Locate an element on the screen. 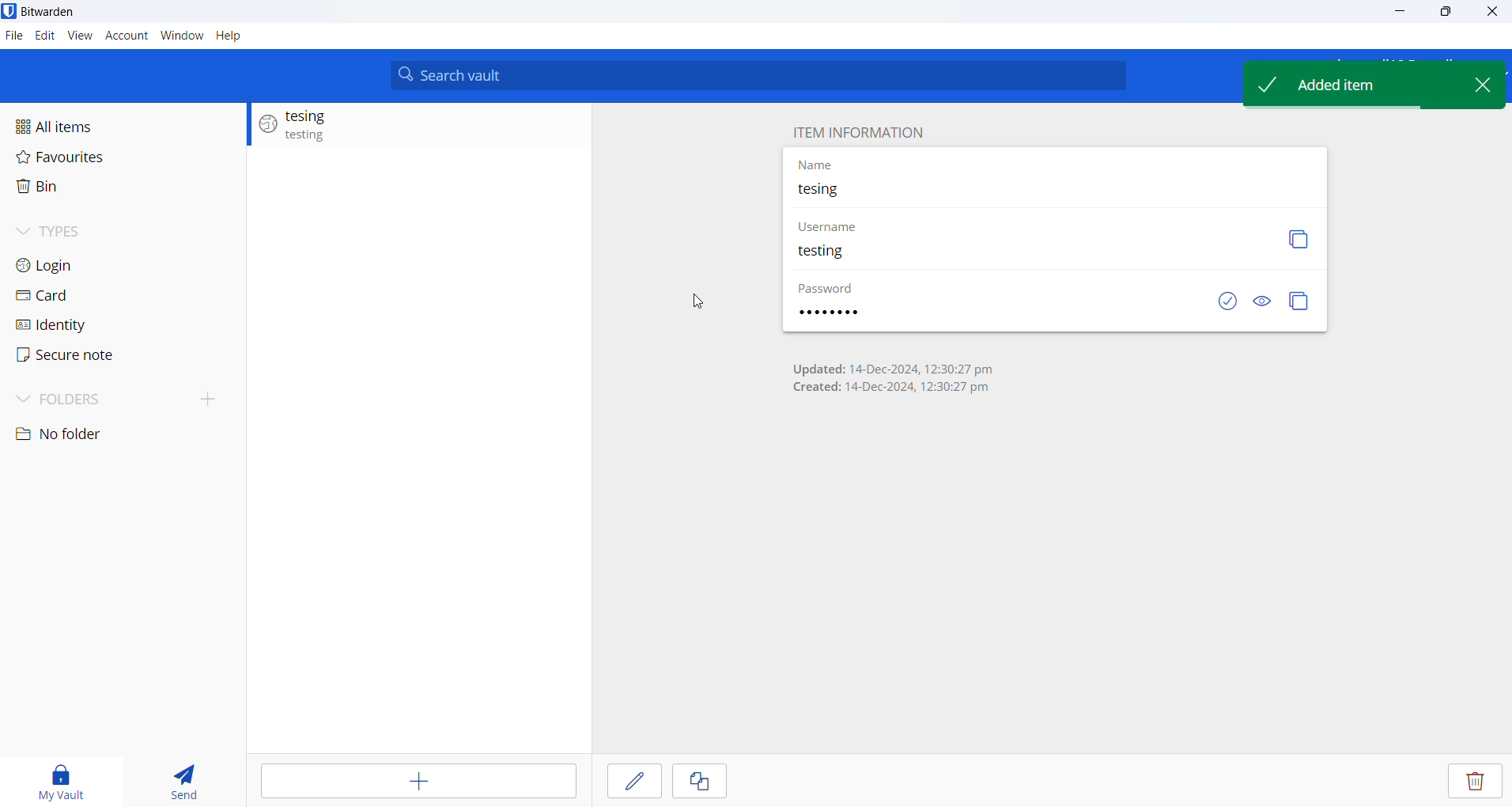 The height and width of the screenshot is (807, 1512). cursor is located at coordinates (700, 302).